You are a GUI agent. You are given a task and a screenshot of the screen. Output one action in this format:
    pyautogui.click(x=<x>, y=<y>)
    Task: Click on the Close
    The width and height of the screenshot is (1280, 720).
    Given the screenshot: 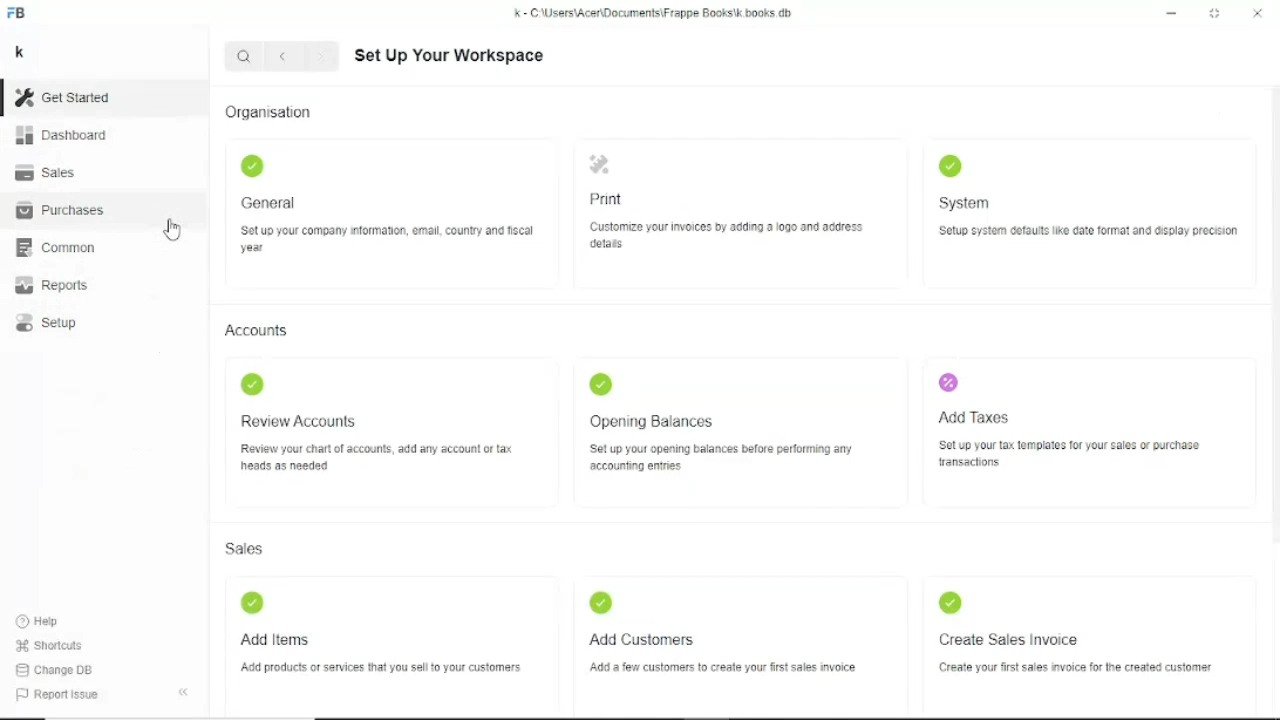 What is the action you would take?
    pyautogui.click(x=1257, y=13)
    